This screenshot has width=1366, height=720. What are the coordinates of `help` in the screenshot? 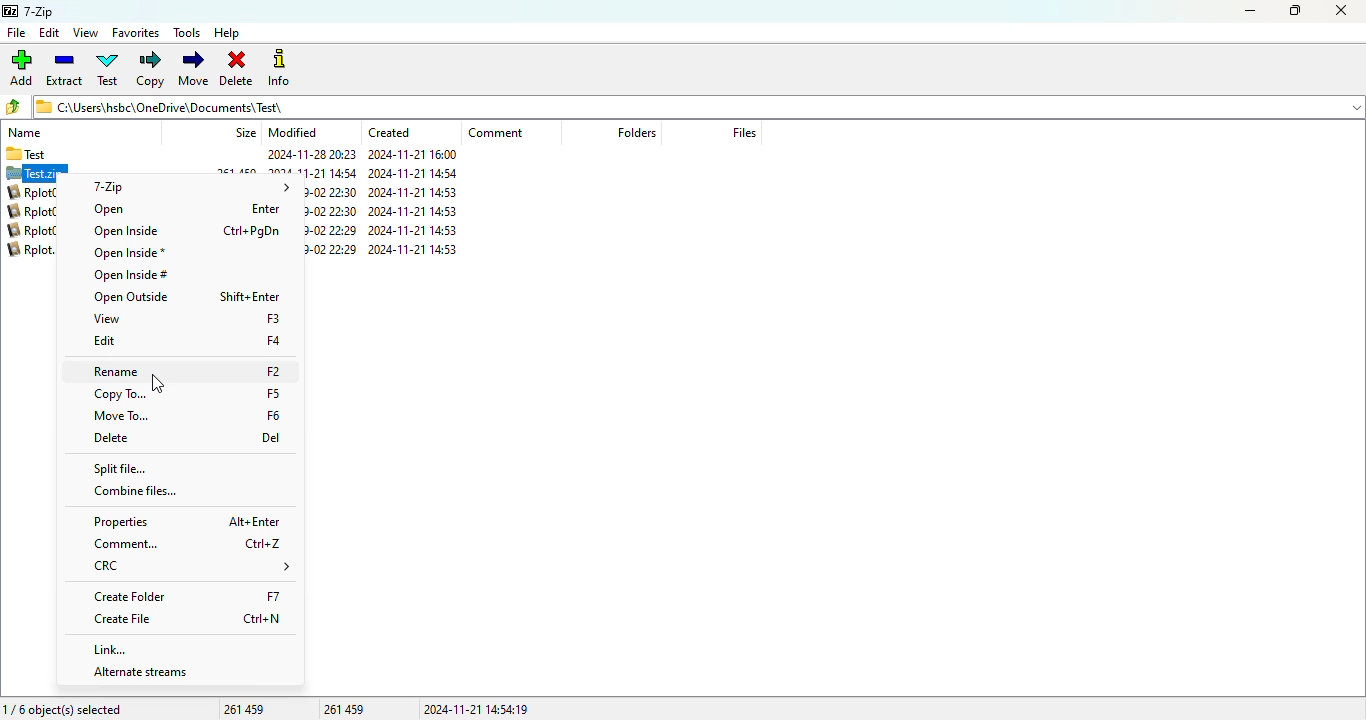 It's located at (228, 33).